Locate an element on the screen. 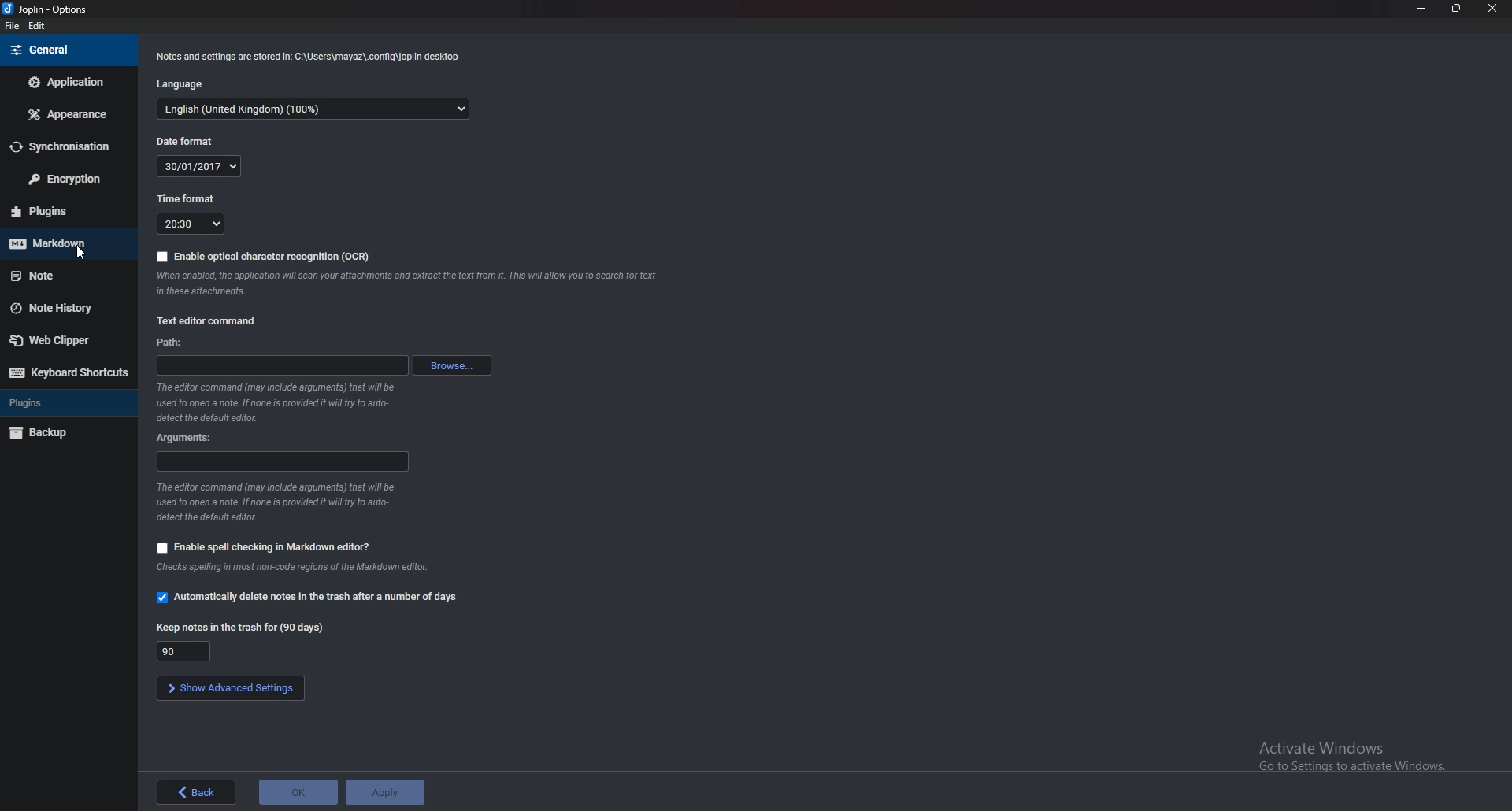 The height and width of the screenshot is (811, 1512). Automatically delete notes is located at coordinates (309, 598).